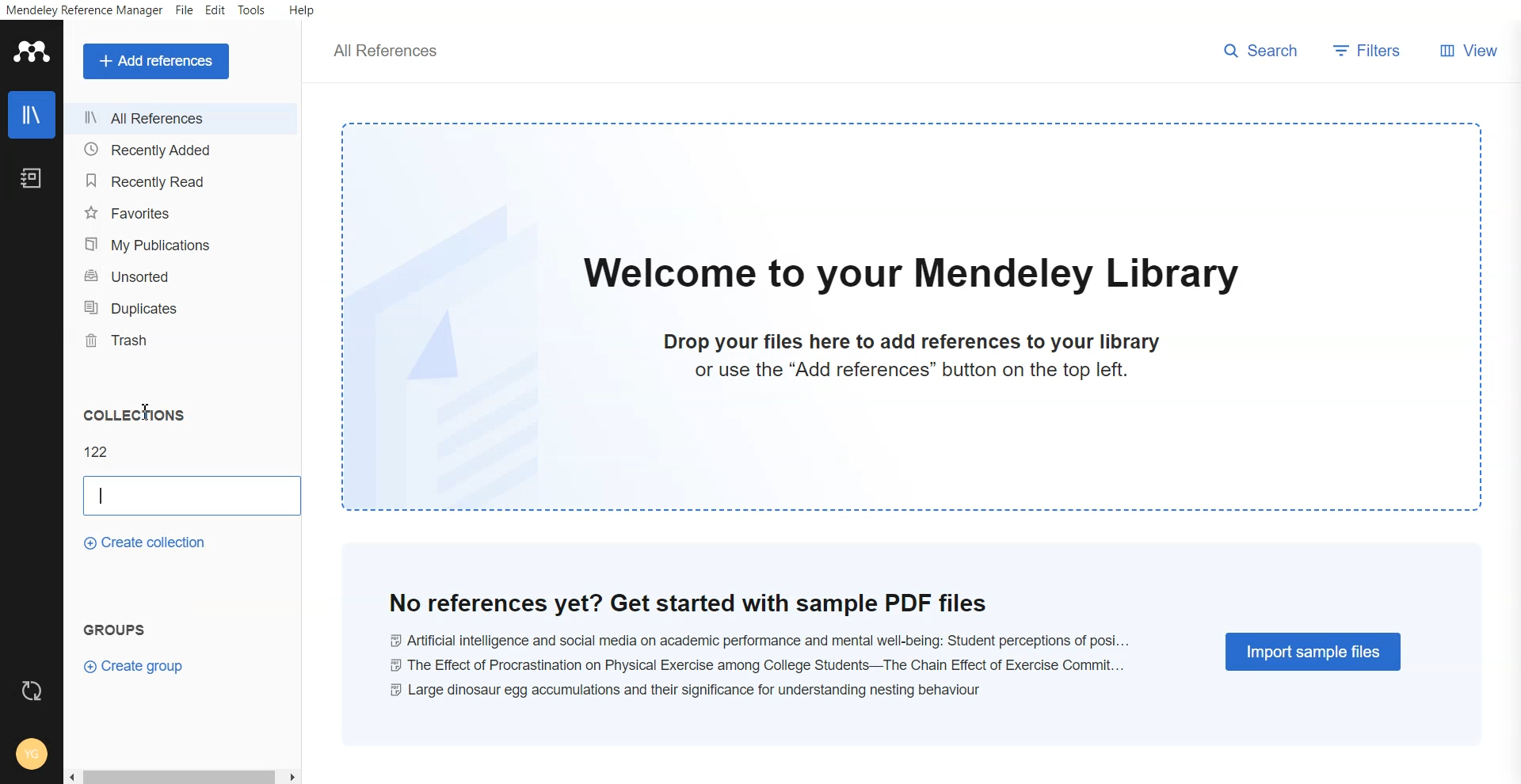  I want to click on file watermark background image, so click(452, 348).